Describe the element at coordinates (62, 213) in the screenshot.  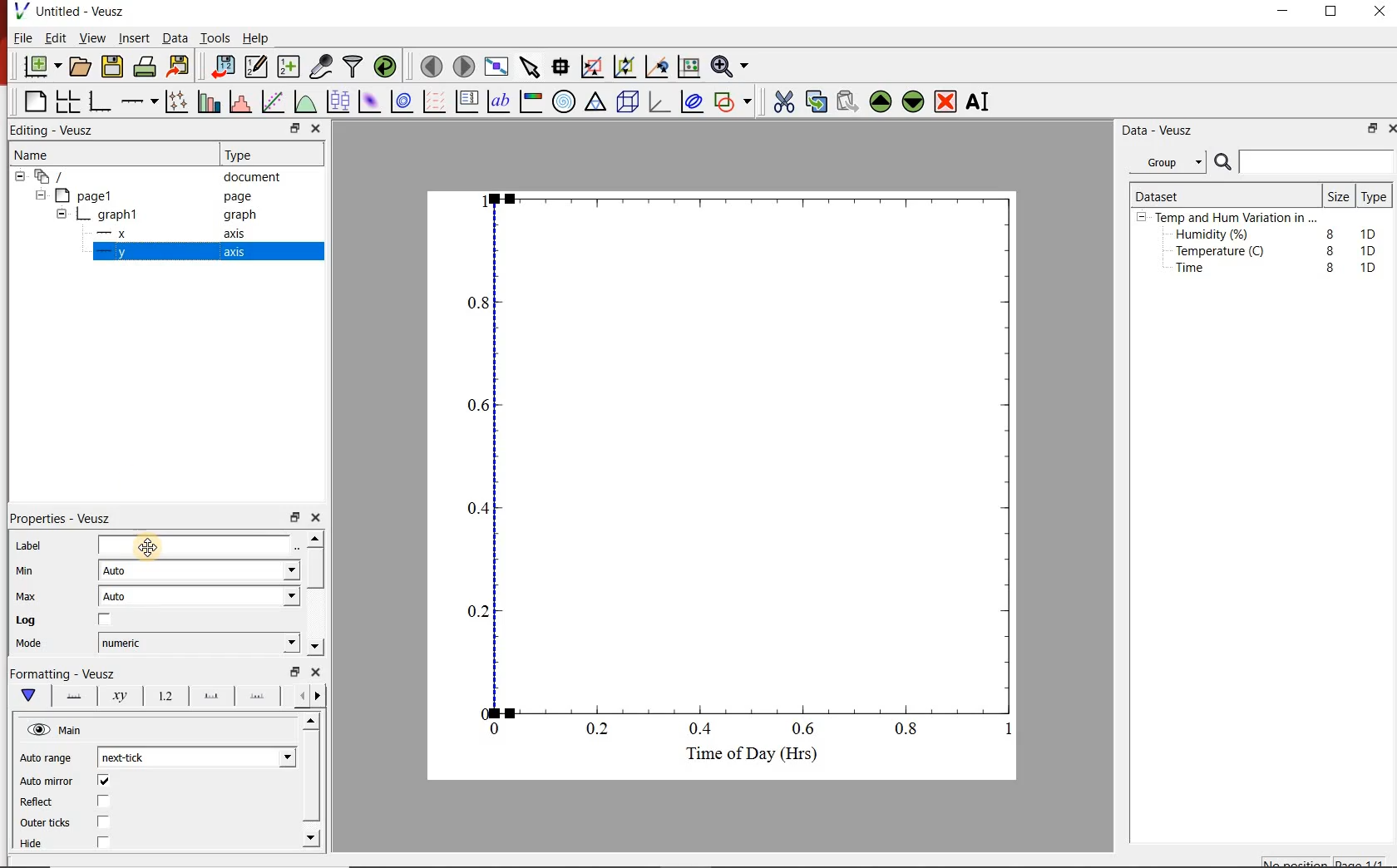
I see `hide sub menu` at that location.